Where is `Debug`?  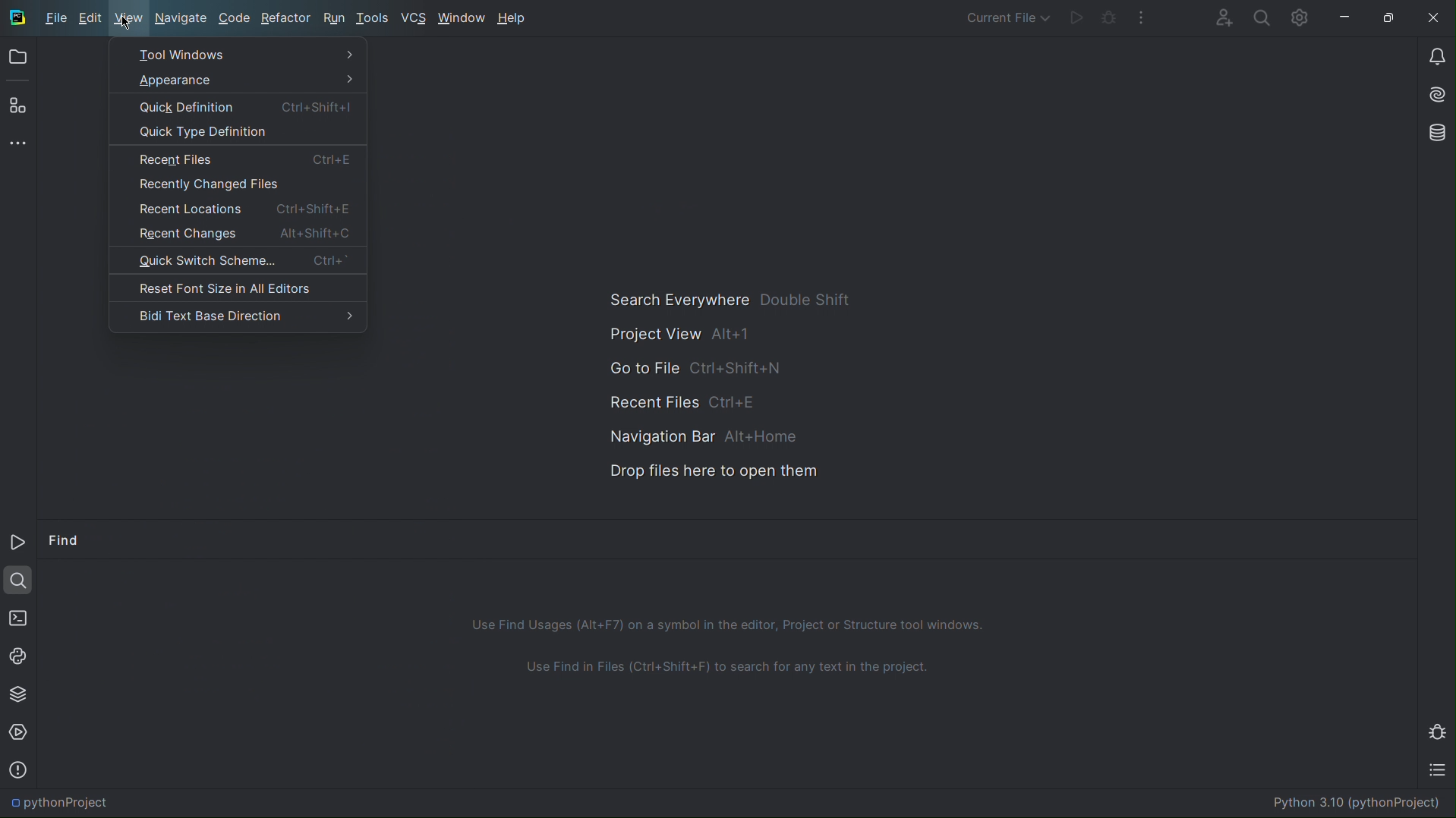
Debug is located at coordinates (1439, 731).